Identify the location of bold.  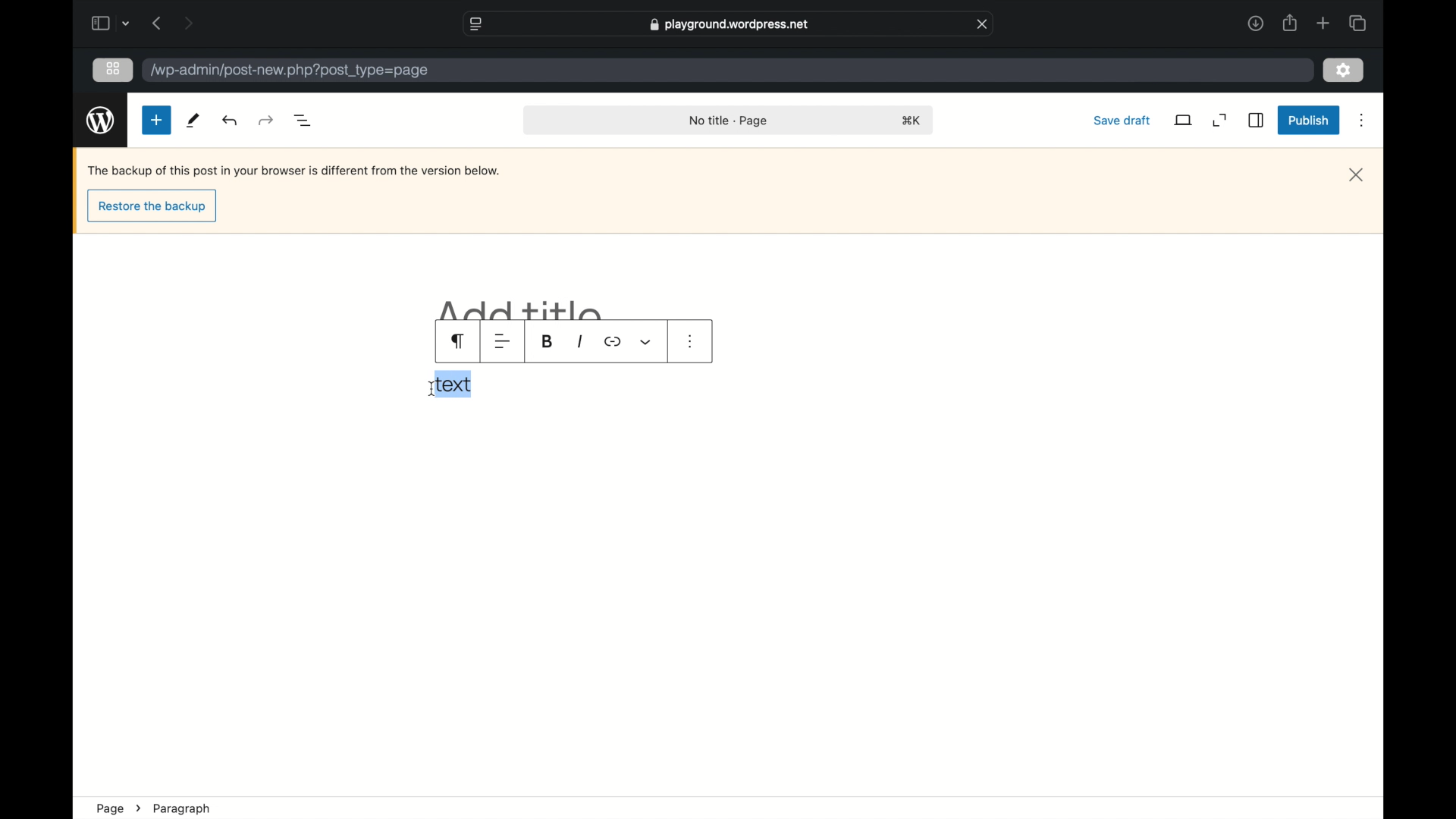
(547, 340).